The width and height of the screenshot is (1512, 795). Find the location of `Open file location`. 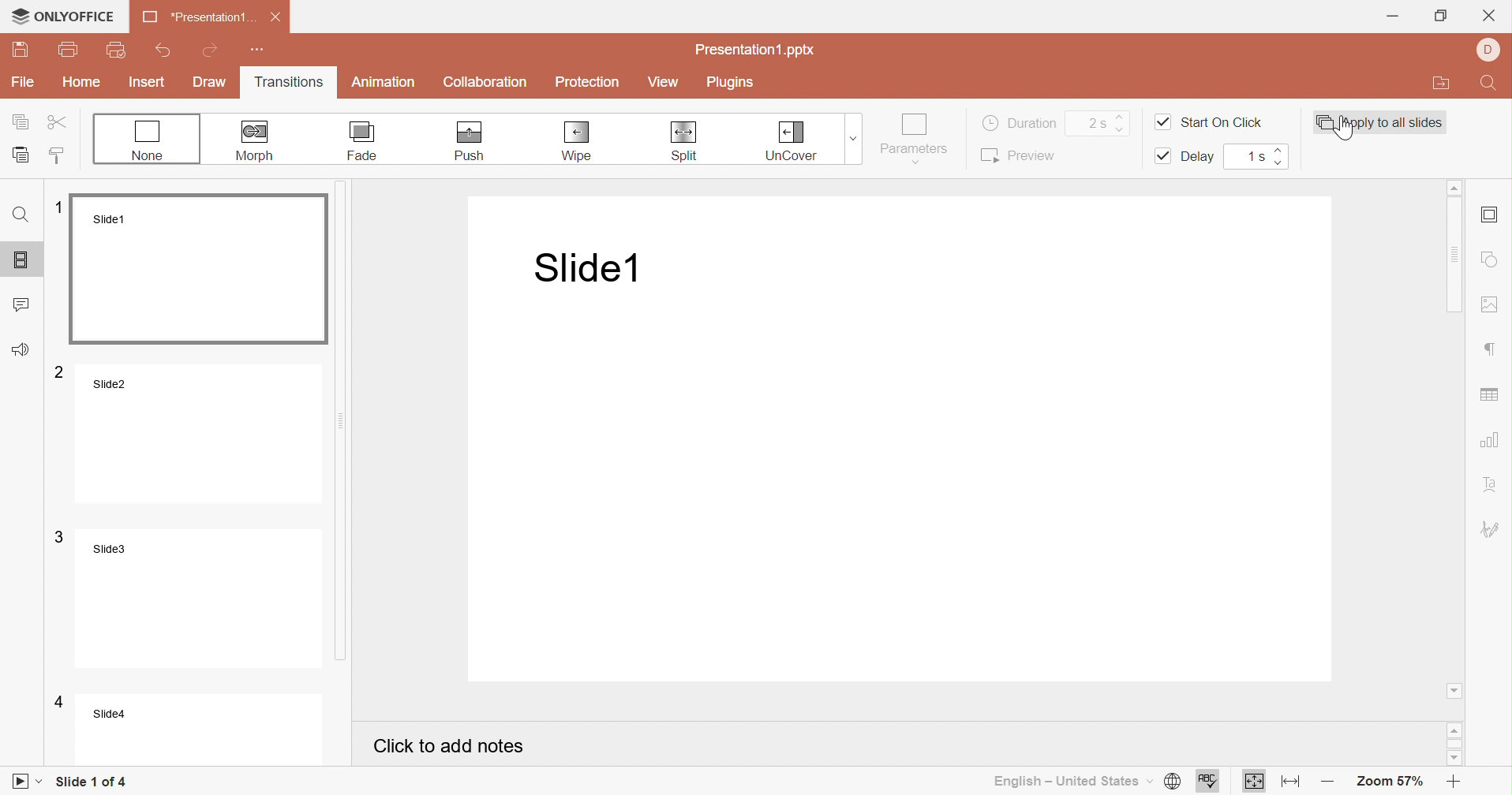

Open file location is located at coordinates (1441, 84).